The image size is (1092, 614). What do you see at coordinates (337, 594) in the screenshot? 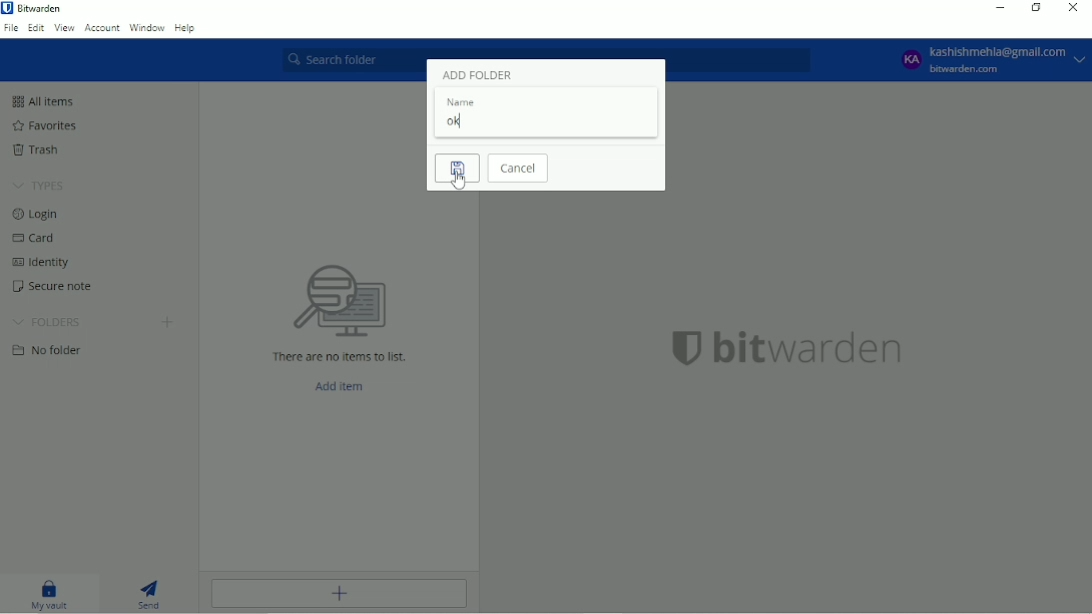
I see `Add item` at bounding box center [337, 594].